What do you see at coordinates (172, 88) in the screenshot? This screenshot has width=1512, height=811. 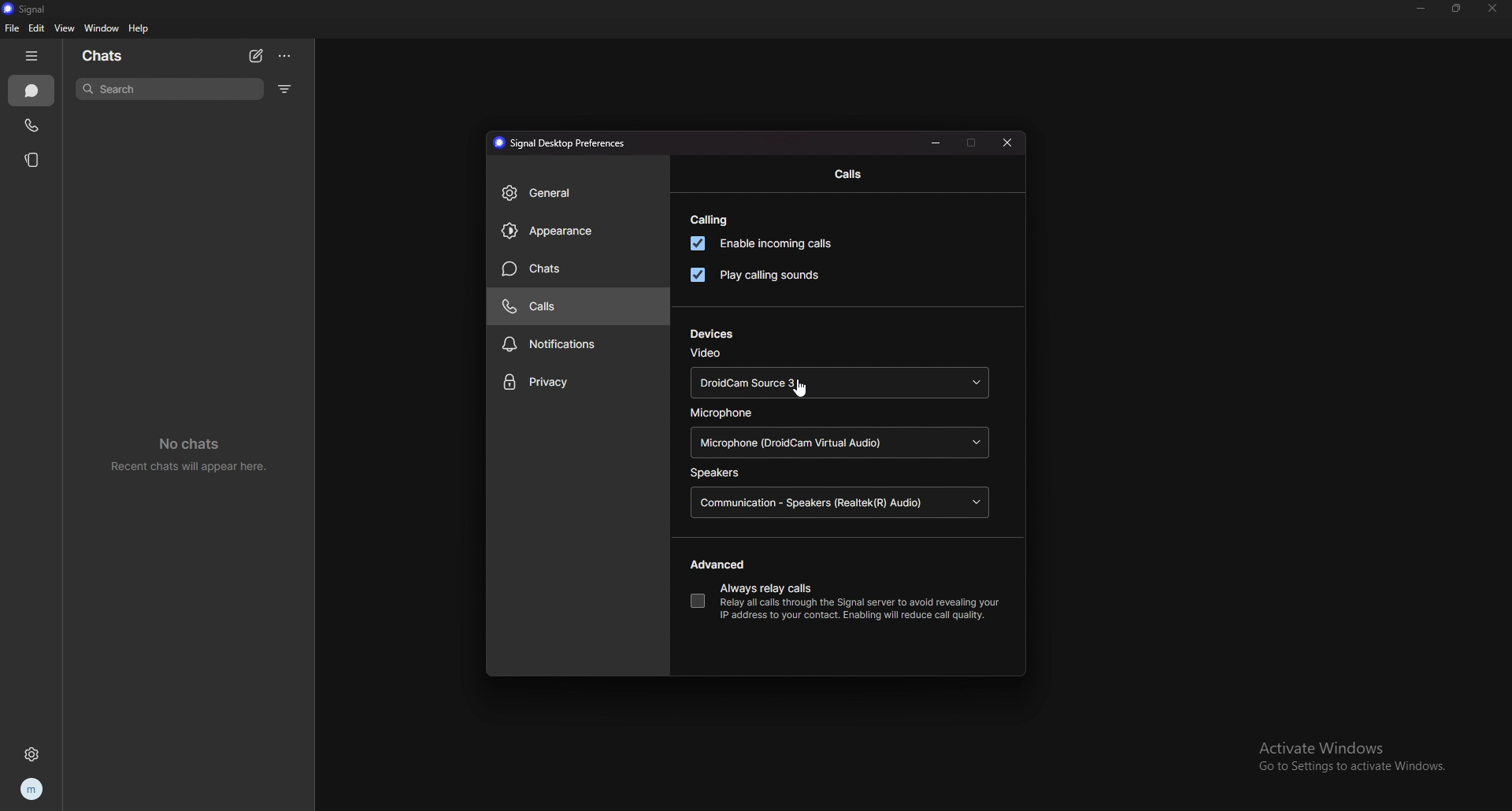 I see `search` at bounding box center [172, 88].